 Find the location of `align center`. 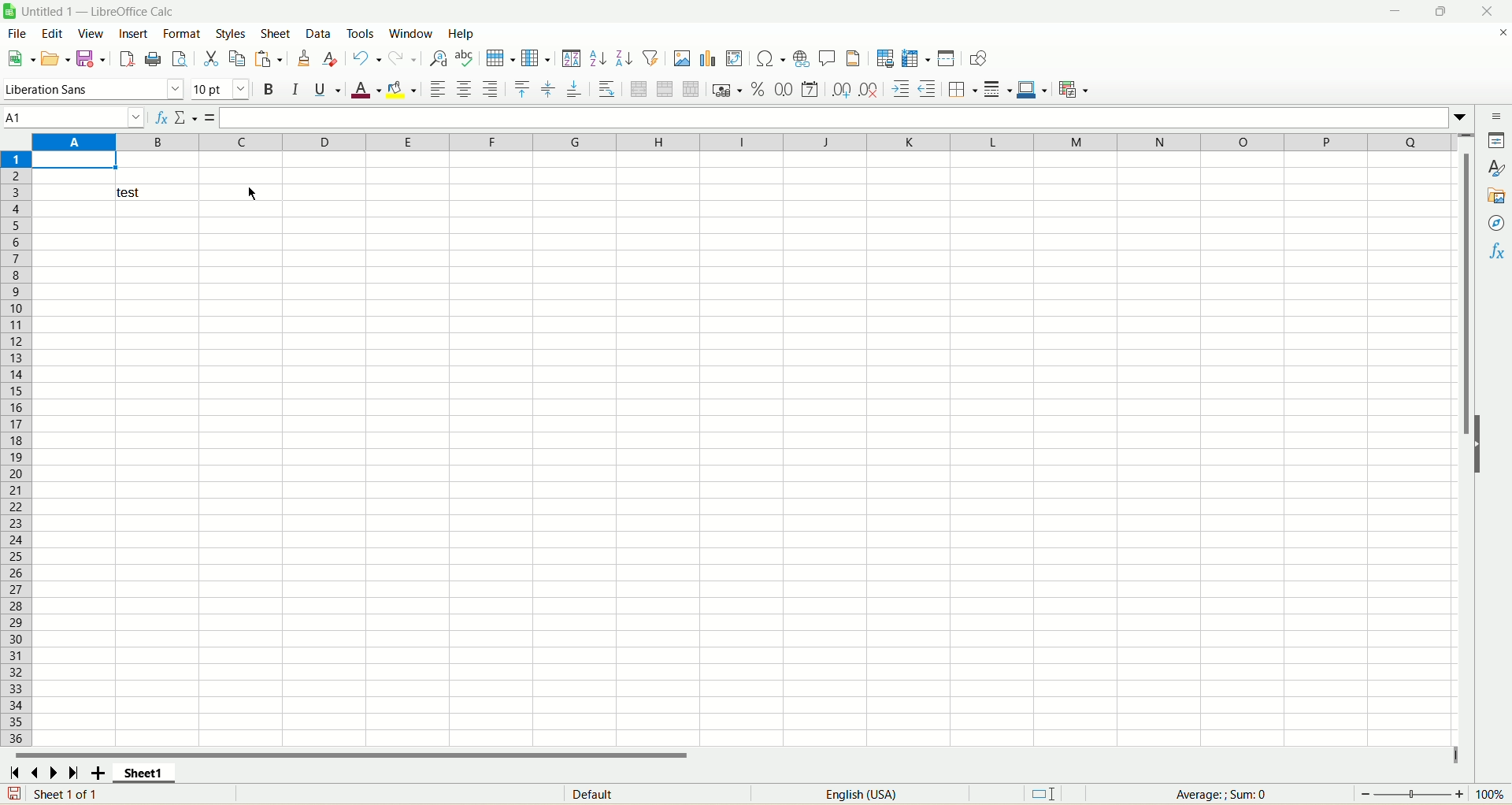

align center is located at coordinates (464, 89).